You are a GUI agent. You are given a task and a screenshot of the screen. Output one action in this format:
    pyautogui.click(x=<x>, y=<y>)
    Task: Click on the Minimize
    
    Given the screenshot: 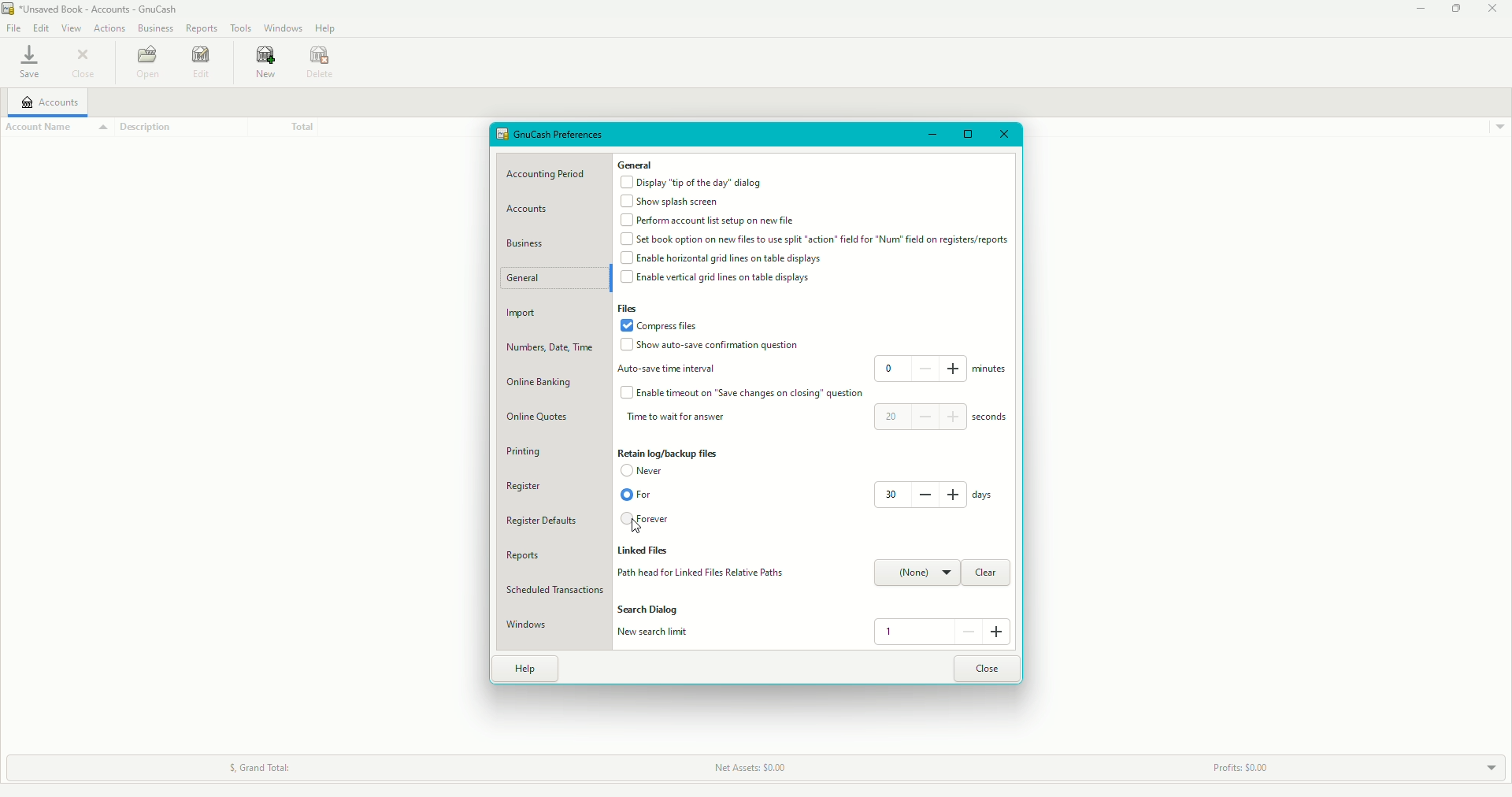 What is the action you would take?
    pyautogui.click(x=1417, y=9)
    